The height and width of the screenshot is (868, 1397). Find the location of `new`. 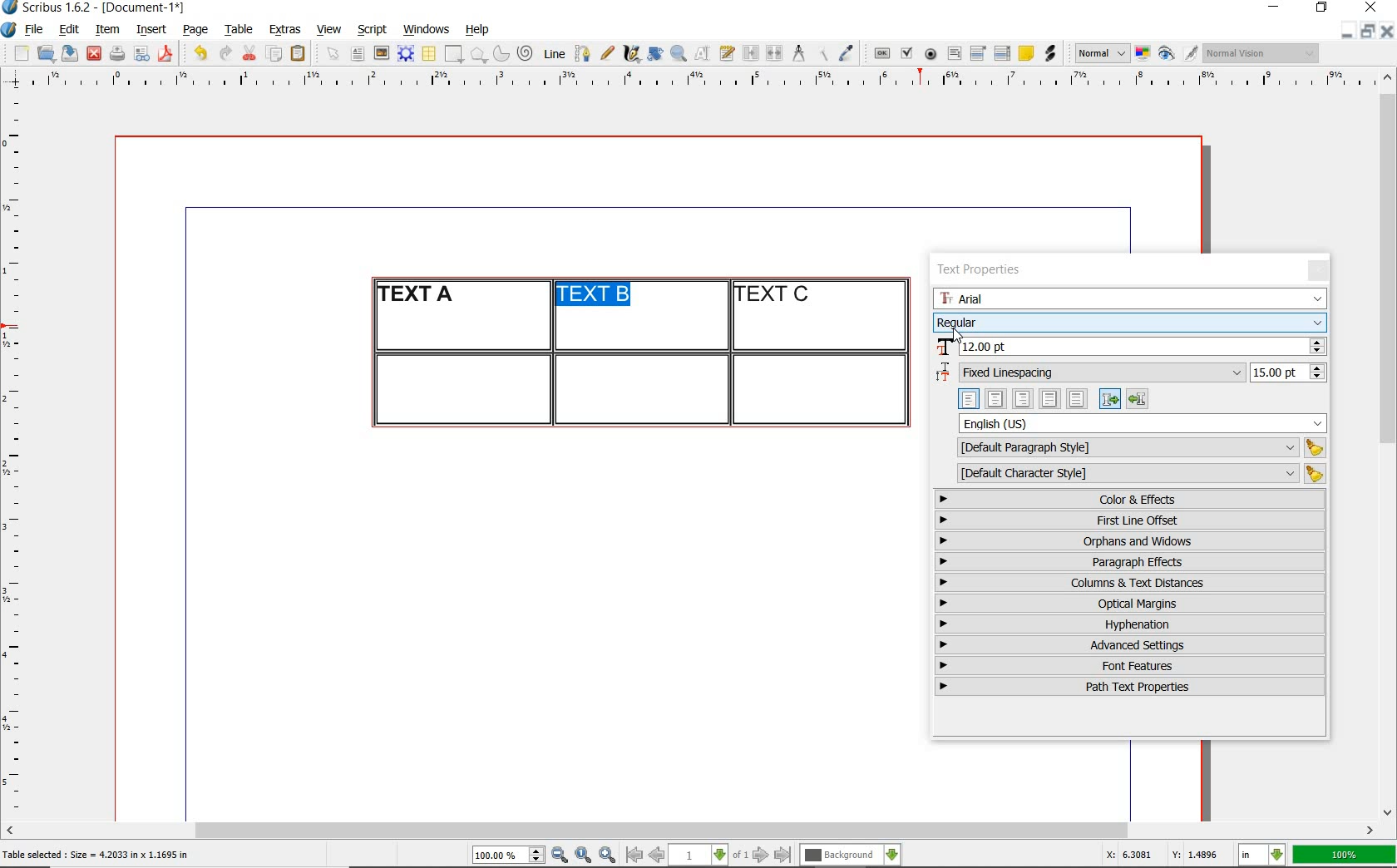

new is located at coordinates (19, 53).